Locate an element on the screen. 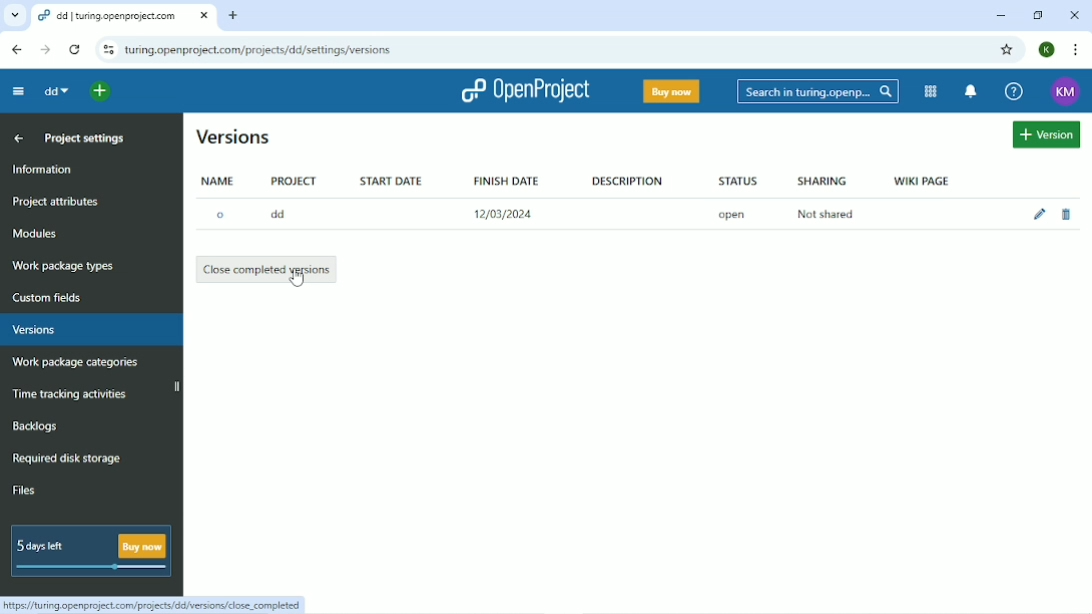 The width and height of the screenshot is (1092, 614). Buy now is located at coordinates (671, 91).